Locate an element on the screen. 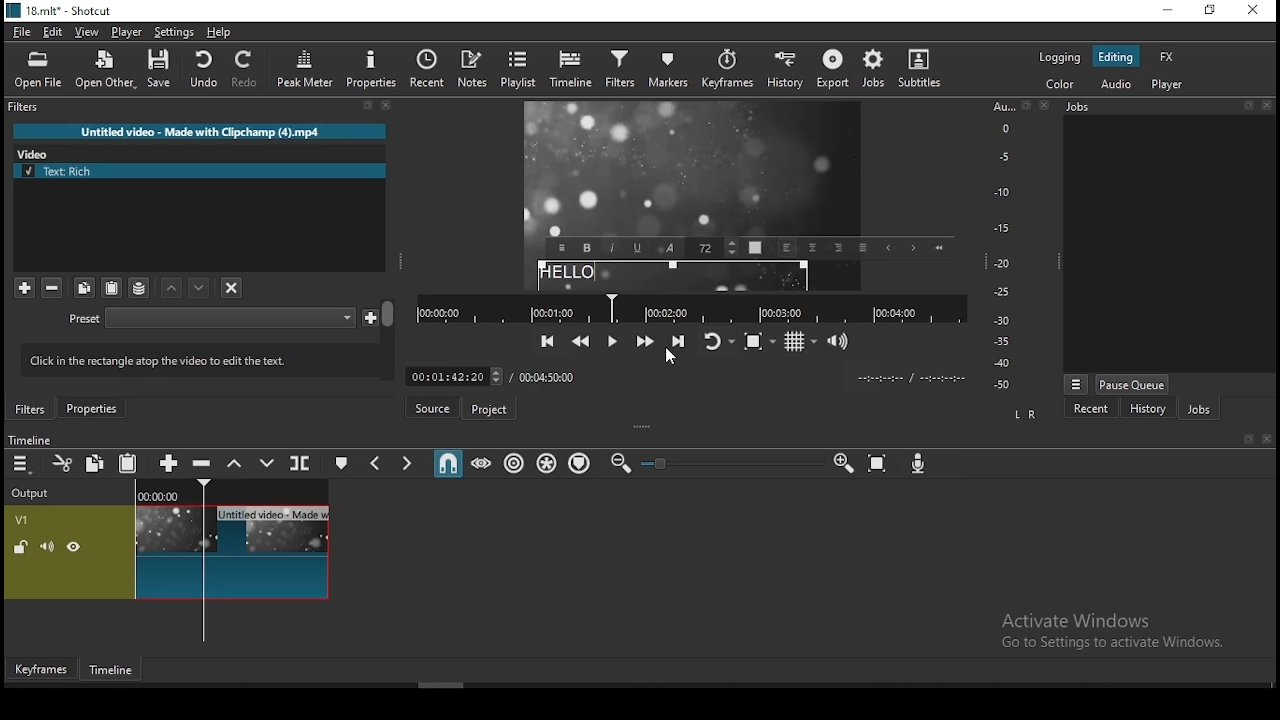 The height and width of the screenshot is (720, 1280). file is located at coordinates (22, 33).